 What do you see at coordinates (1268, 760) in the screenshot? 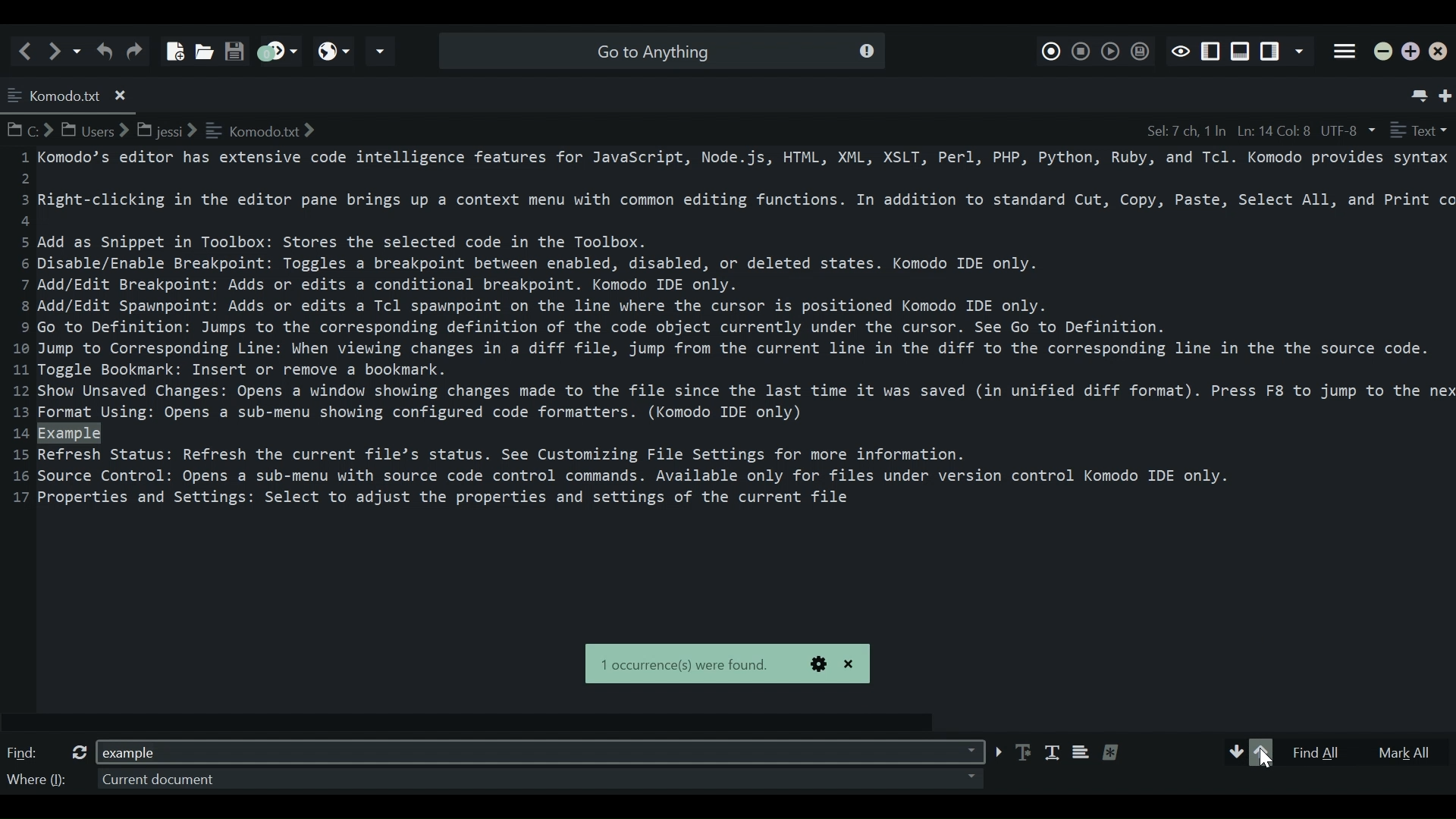
I see `Cursor` at bounding box center [1268, 760].